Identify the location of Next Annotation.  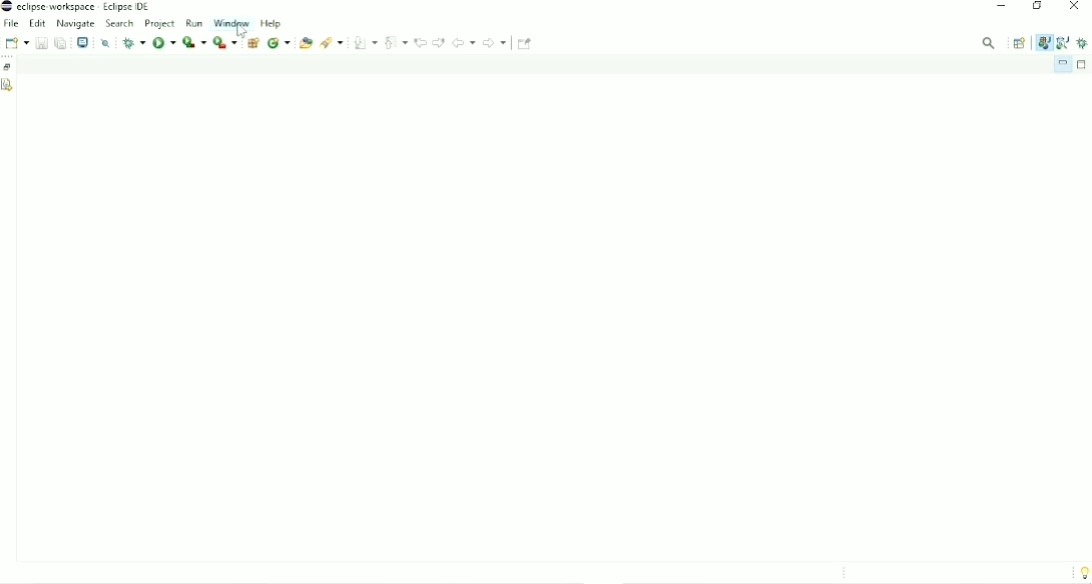
(366, 42).